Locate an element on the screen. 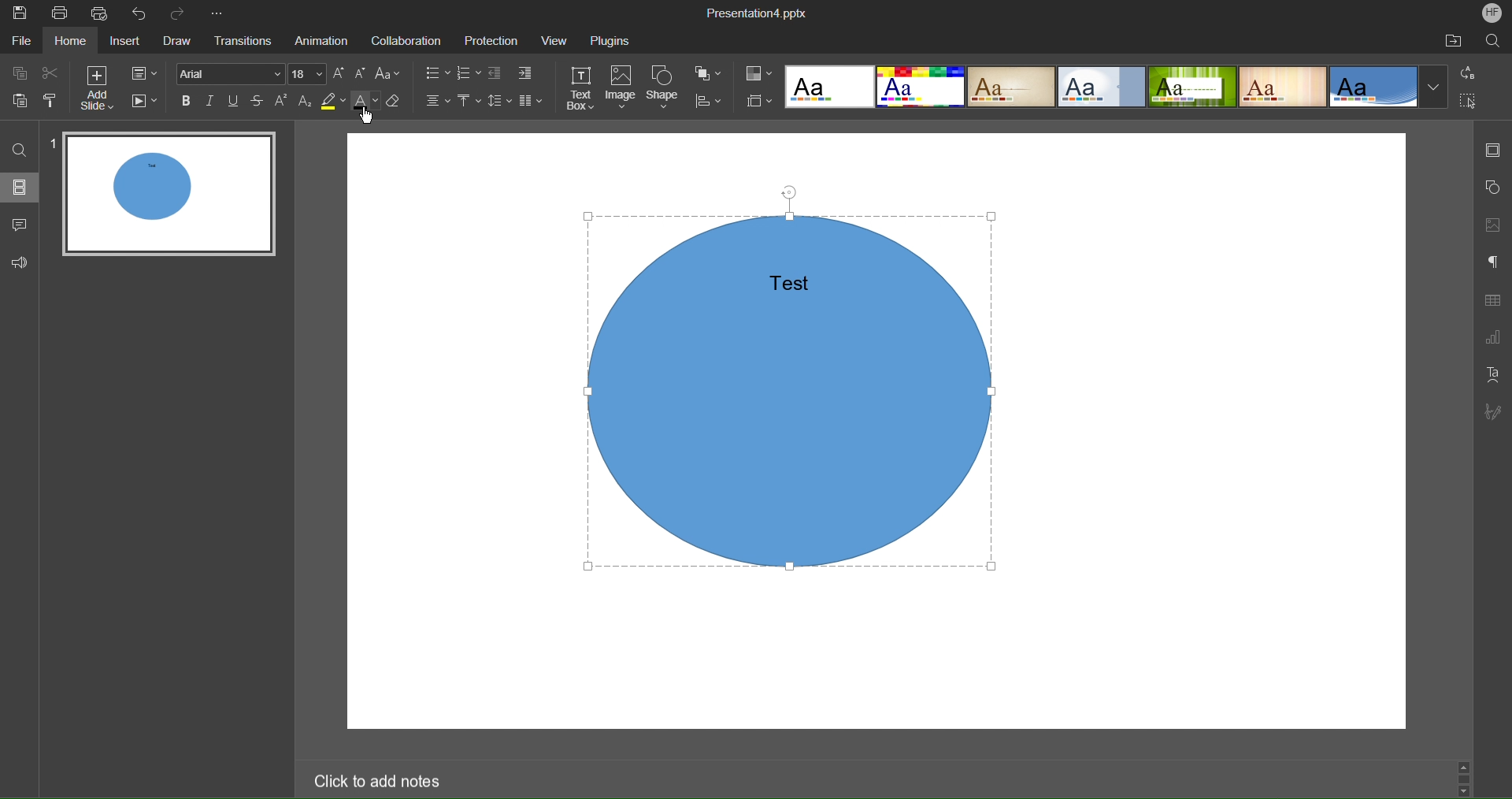 The image size is (1512, 799). Presentation Title is located at coordinates (764, 13).